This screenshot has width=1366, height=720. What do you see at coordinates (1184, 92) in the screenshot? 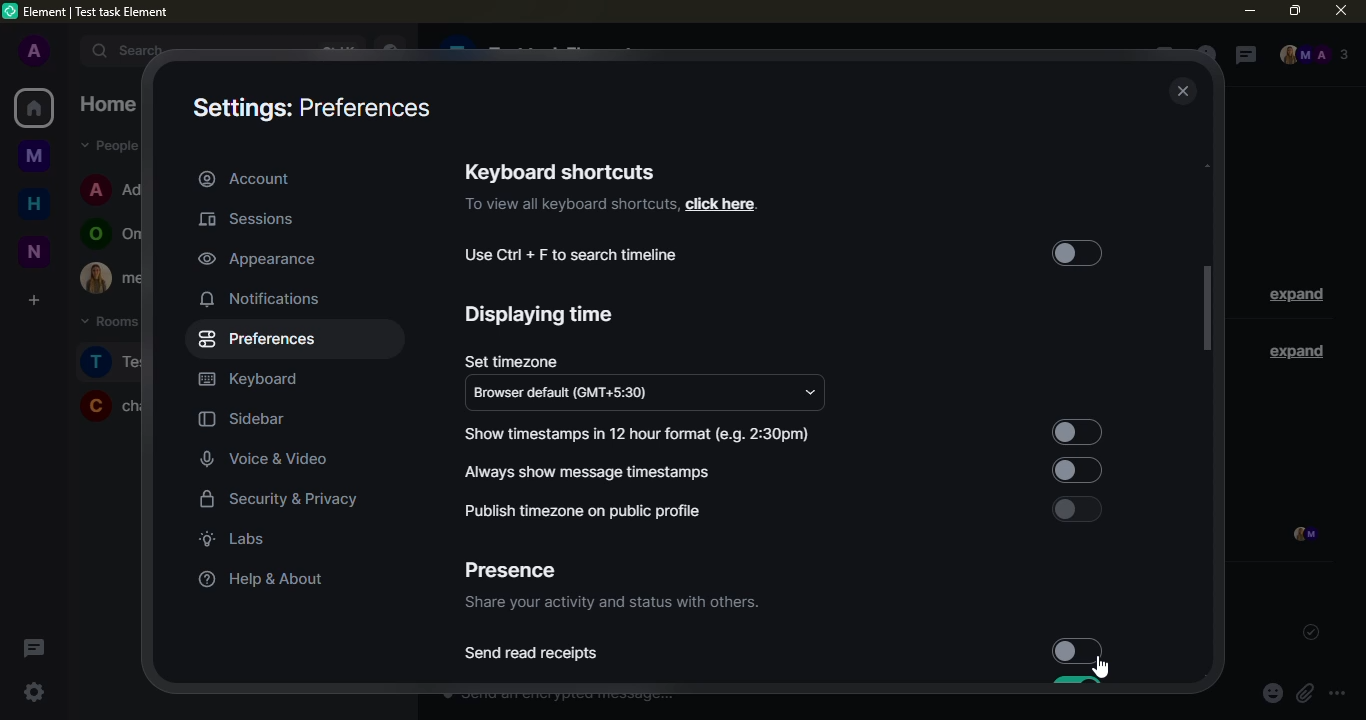
I see `close` at bounding box center [1184, 92].